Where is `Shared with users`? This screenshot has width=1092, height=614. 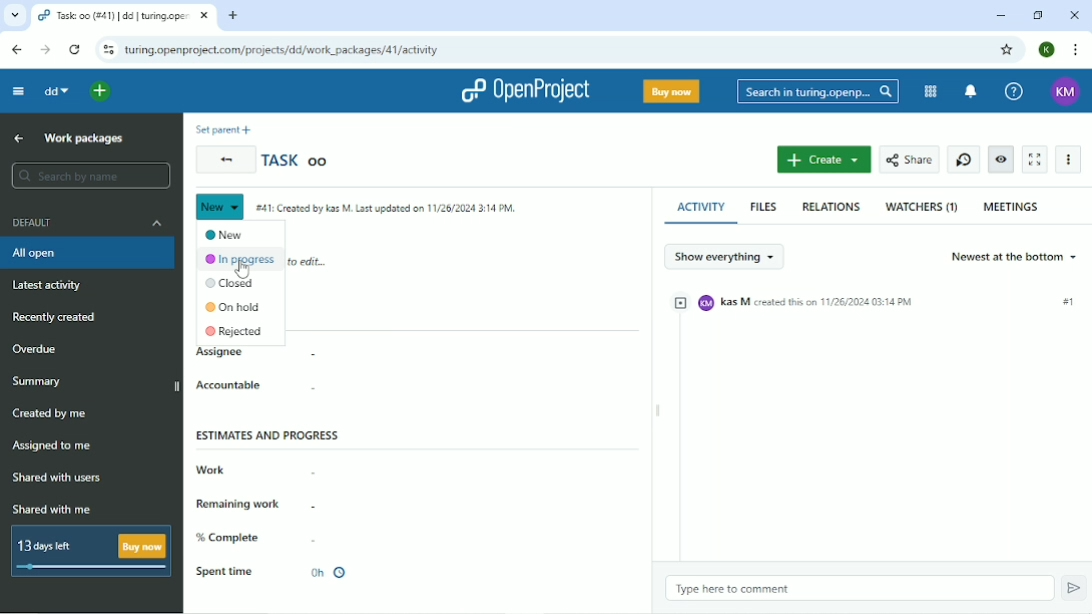
Shared with users is located at coordinates (59, 478).